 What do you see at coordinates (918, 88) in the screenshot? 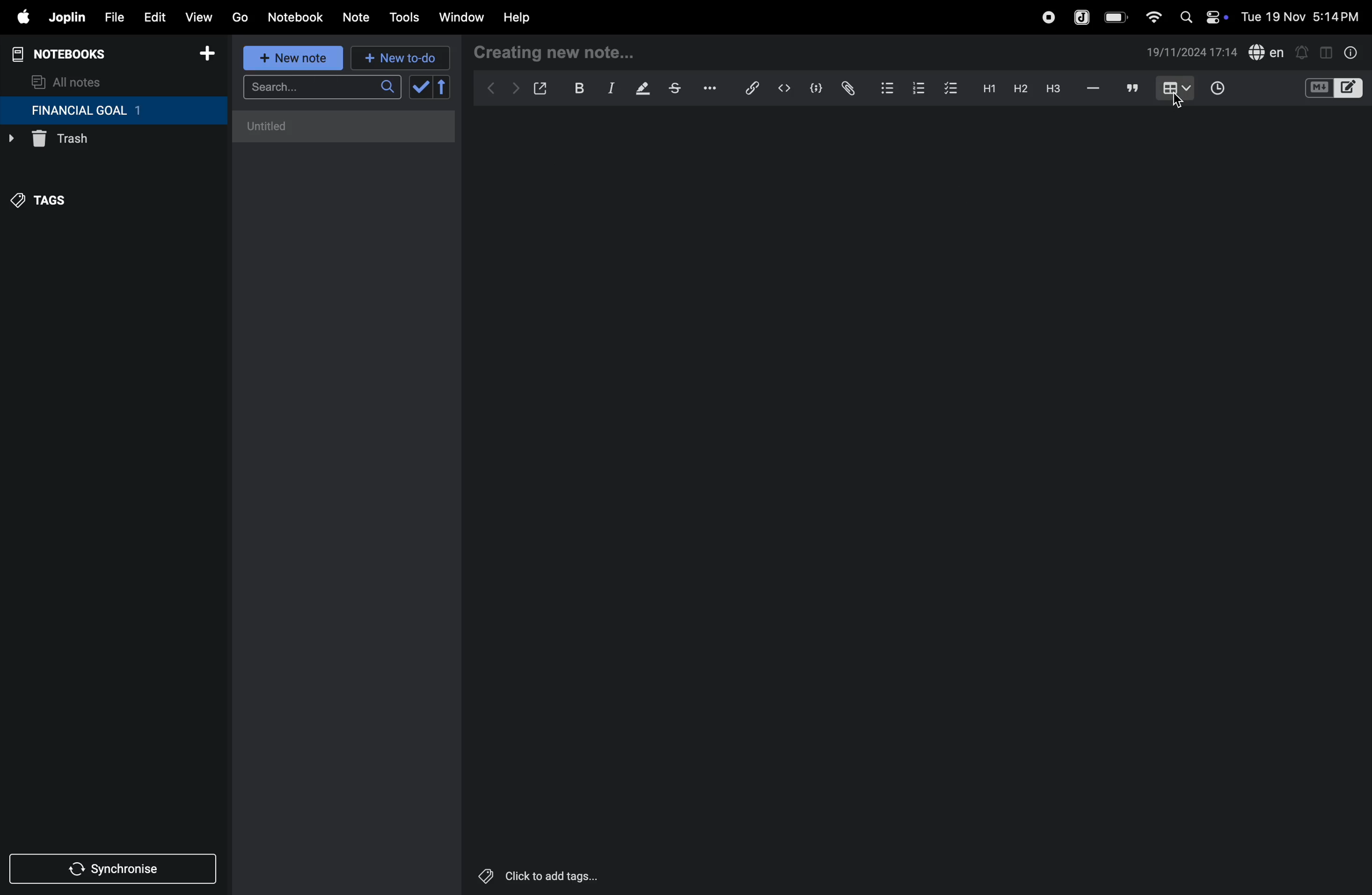
I see `numbered list` at bounding box center [918, 88].